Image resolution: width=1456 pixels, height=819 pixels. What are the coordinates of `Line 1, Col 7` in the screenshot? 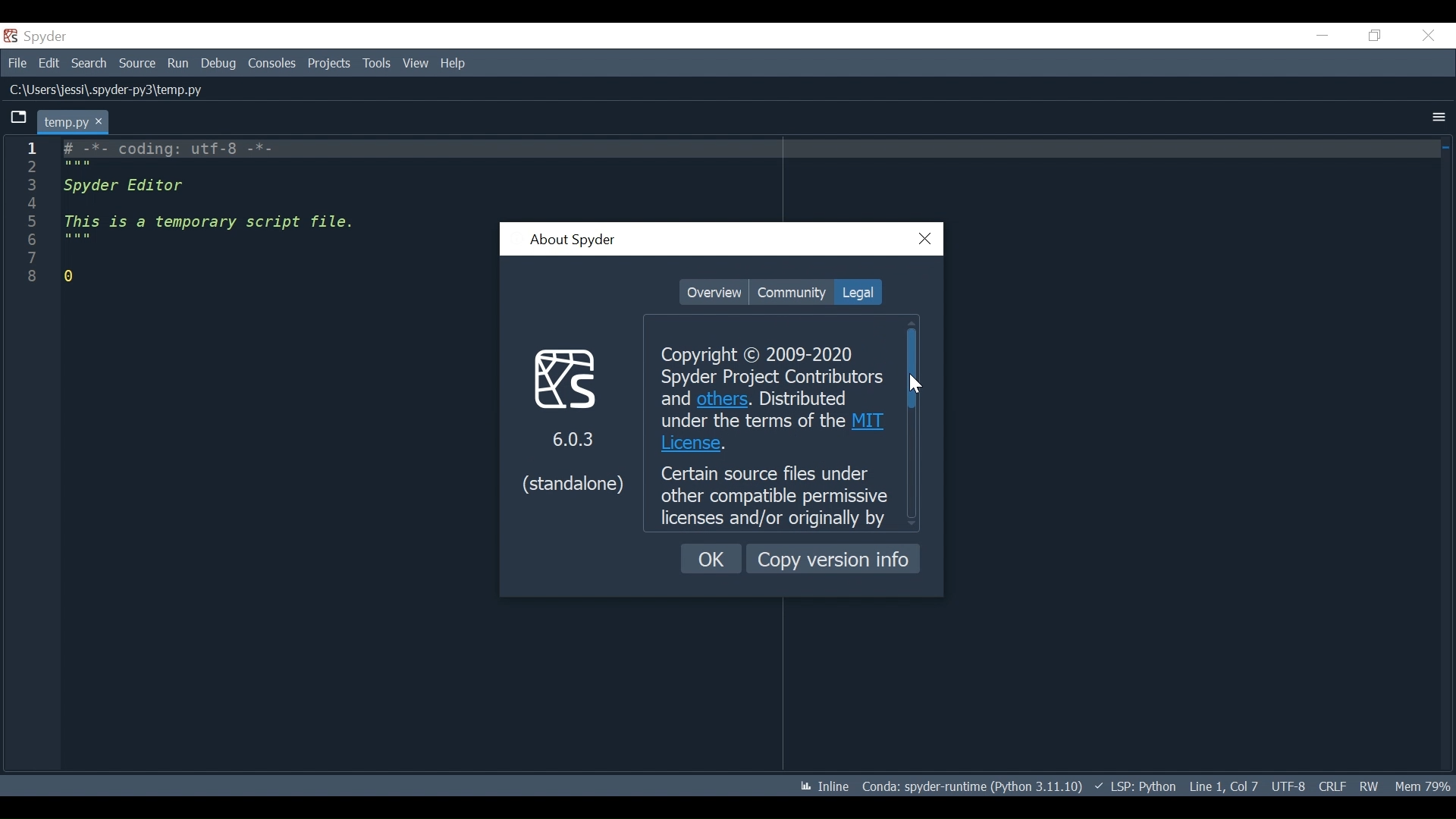 It's located at (1223, 784).